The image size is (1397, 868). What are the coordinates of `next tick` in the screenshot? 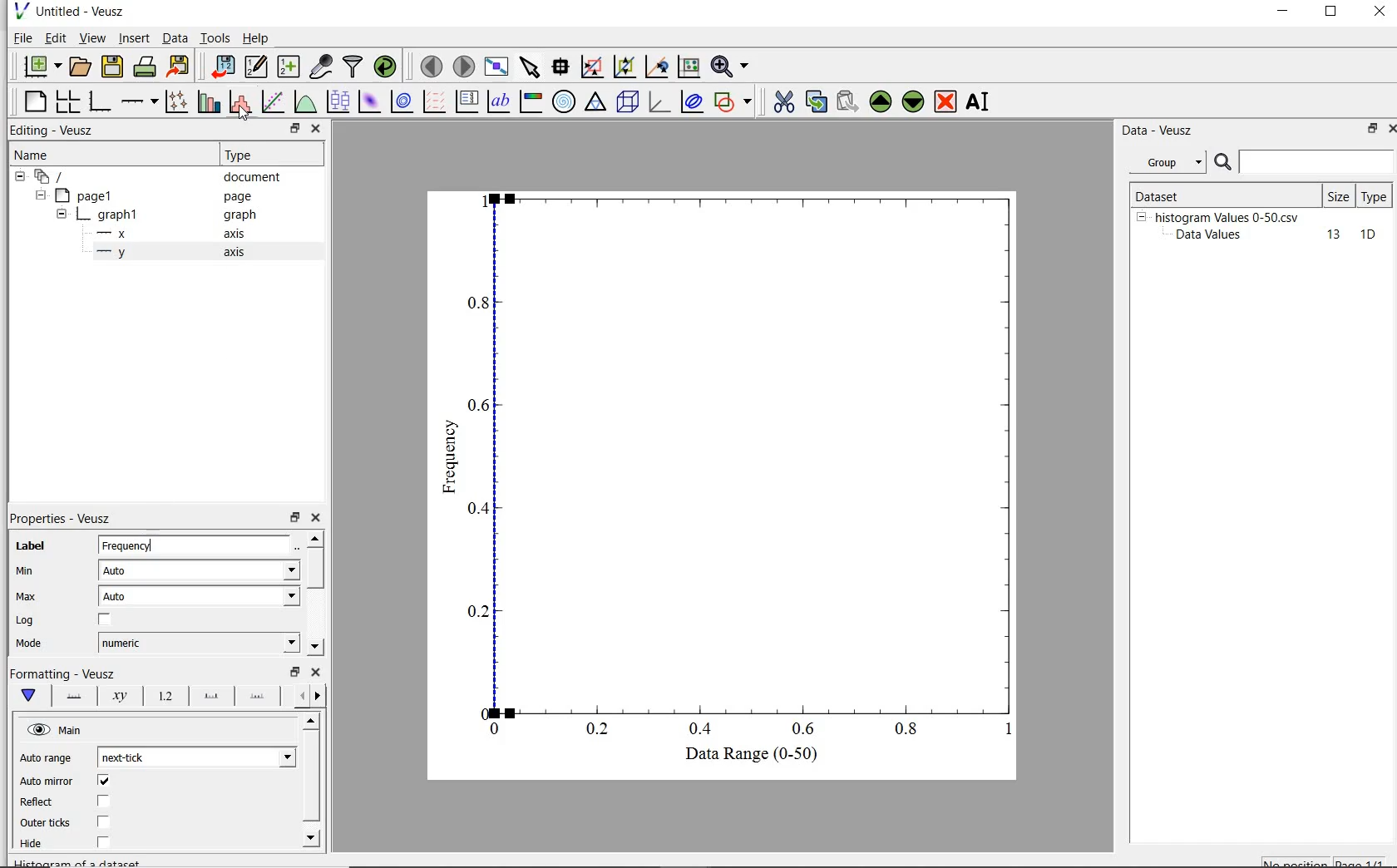 It's located at (196, 757).